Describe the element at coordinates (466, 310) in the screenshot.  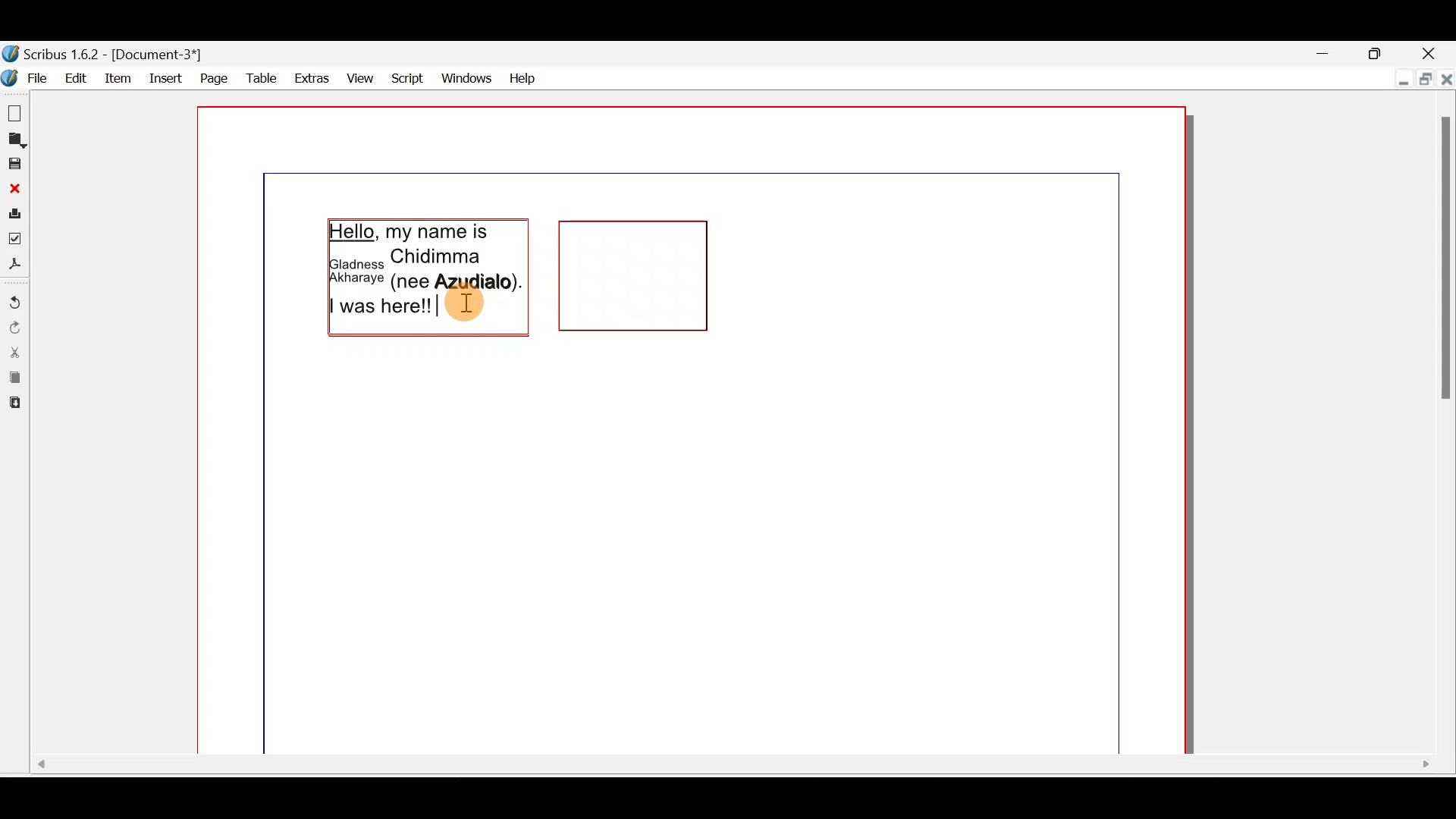
I see `Cursor` at that location.